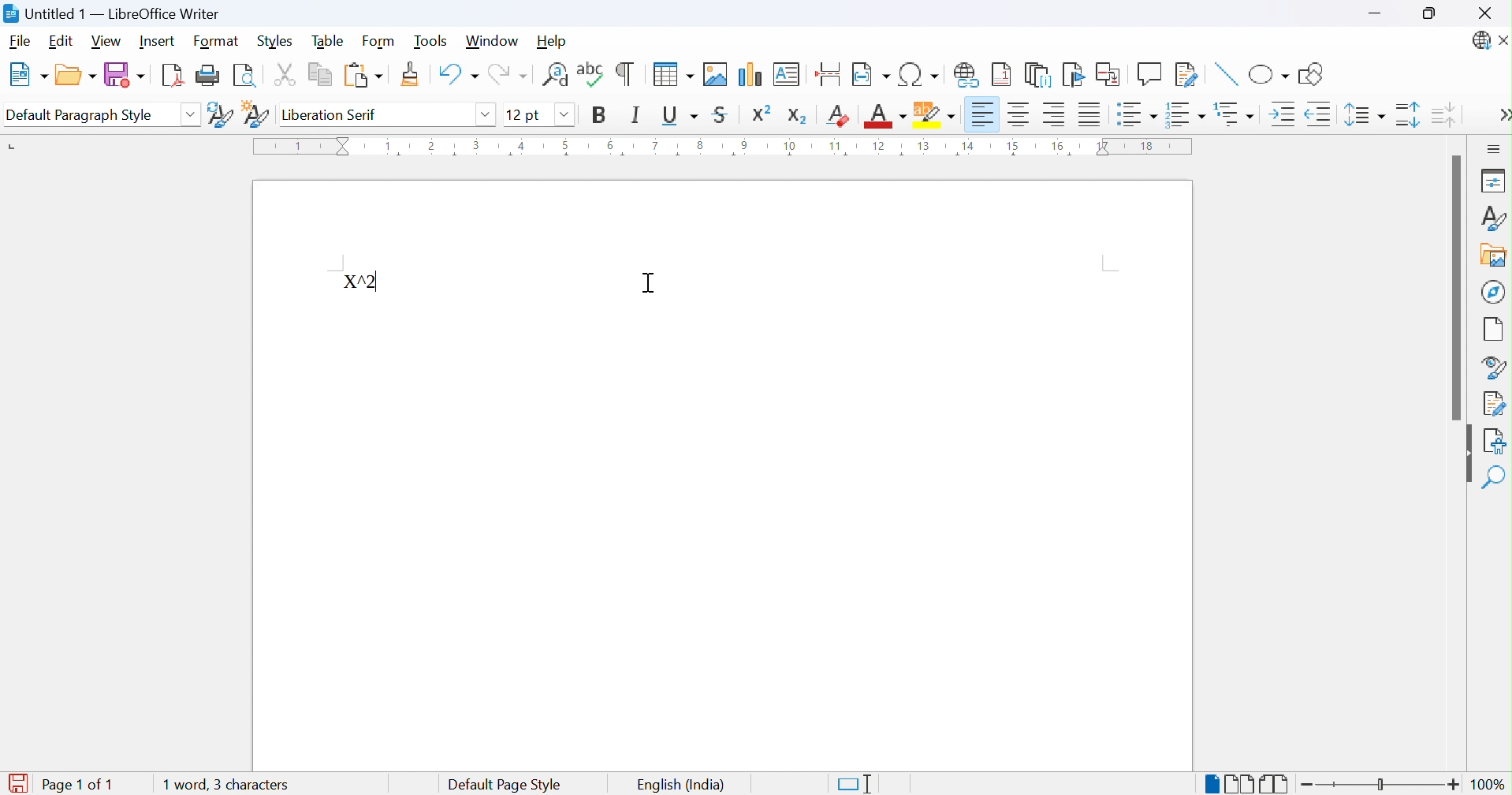  I want to click on Superscript, so click(762, 114).